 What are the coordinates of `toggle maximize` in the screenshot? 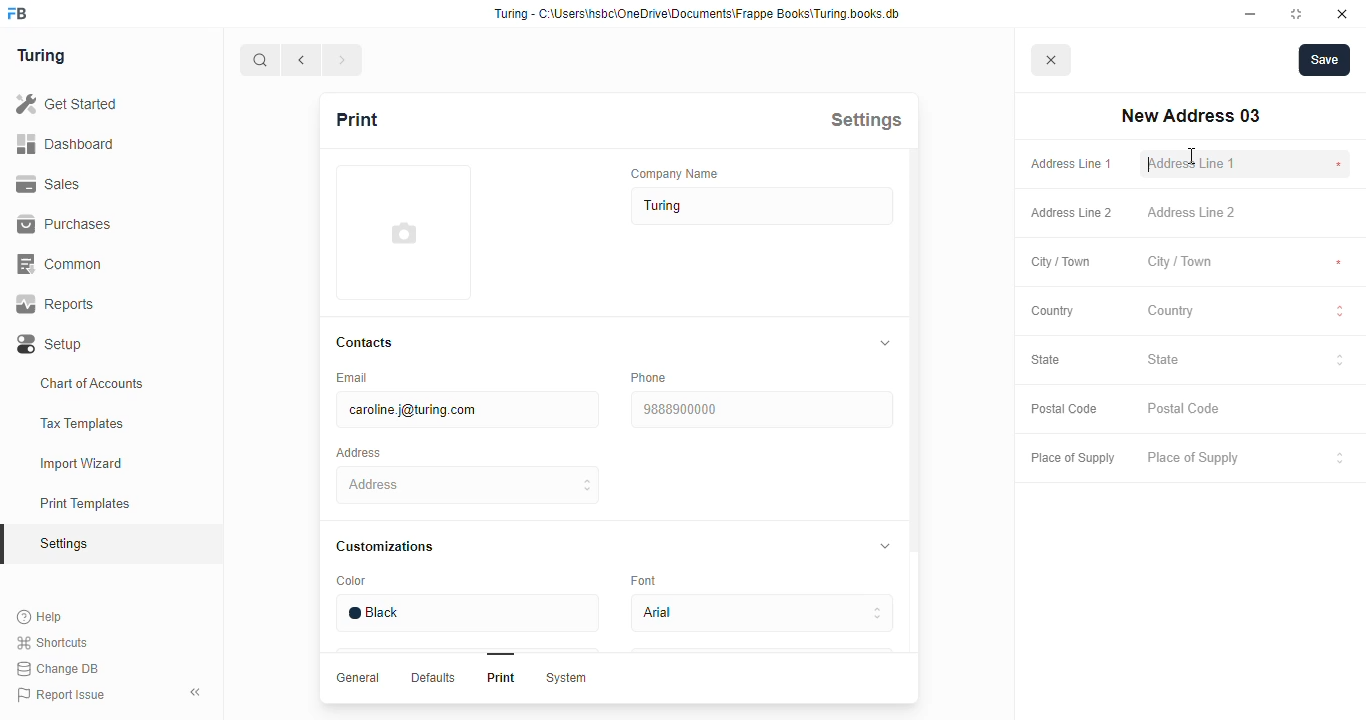 It's located at (1295, 13).